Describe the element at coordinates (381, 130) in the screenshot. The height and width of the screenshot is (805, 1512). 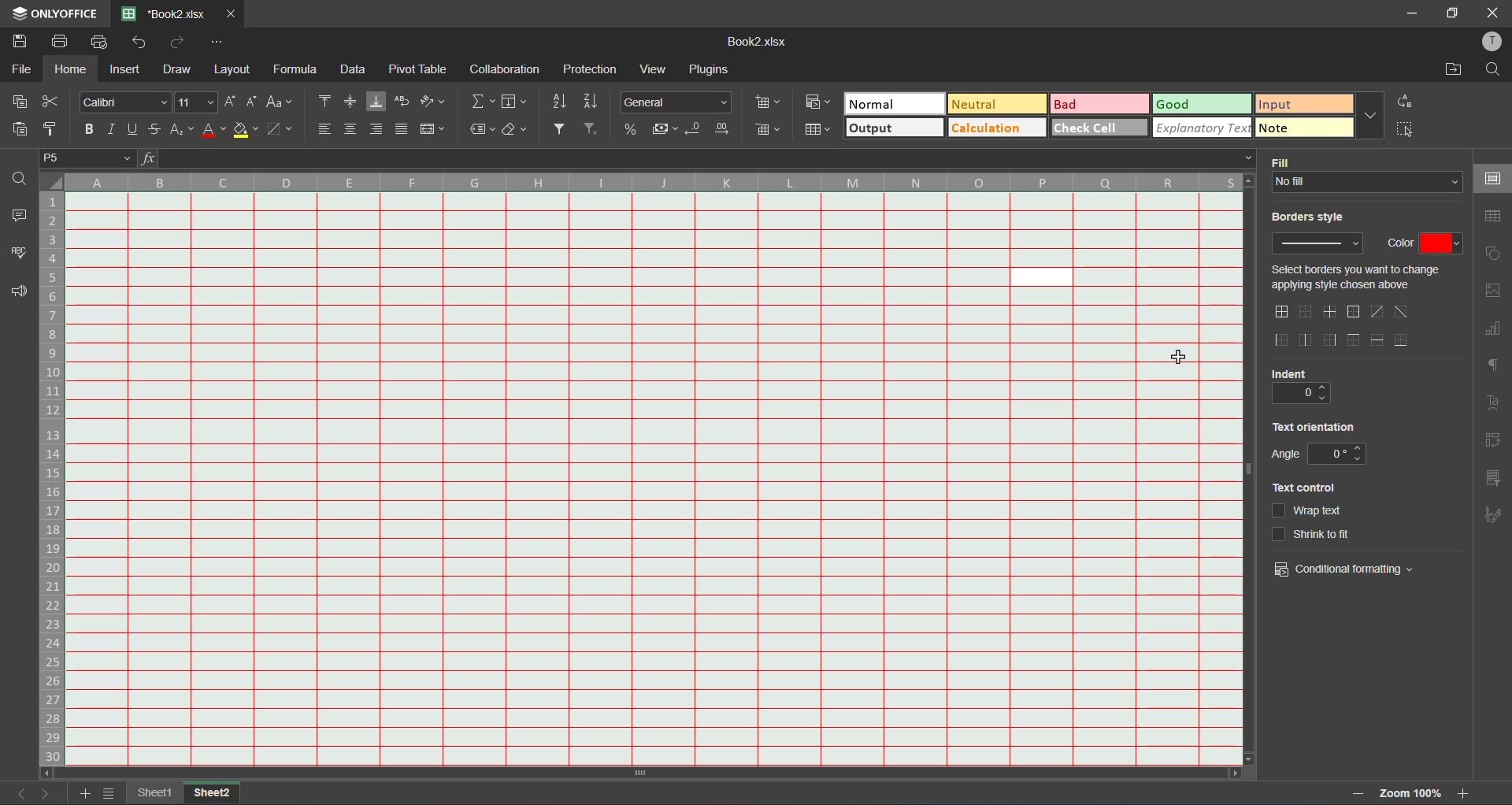
I see `align right` at that location.